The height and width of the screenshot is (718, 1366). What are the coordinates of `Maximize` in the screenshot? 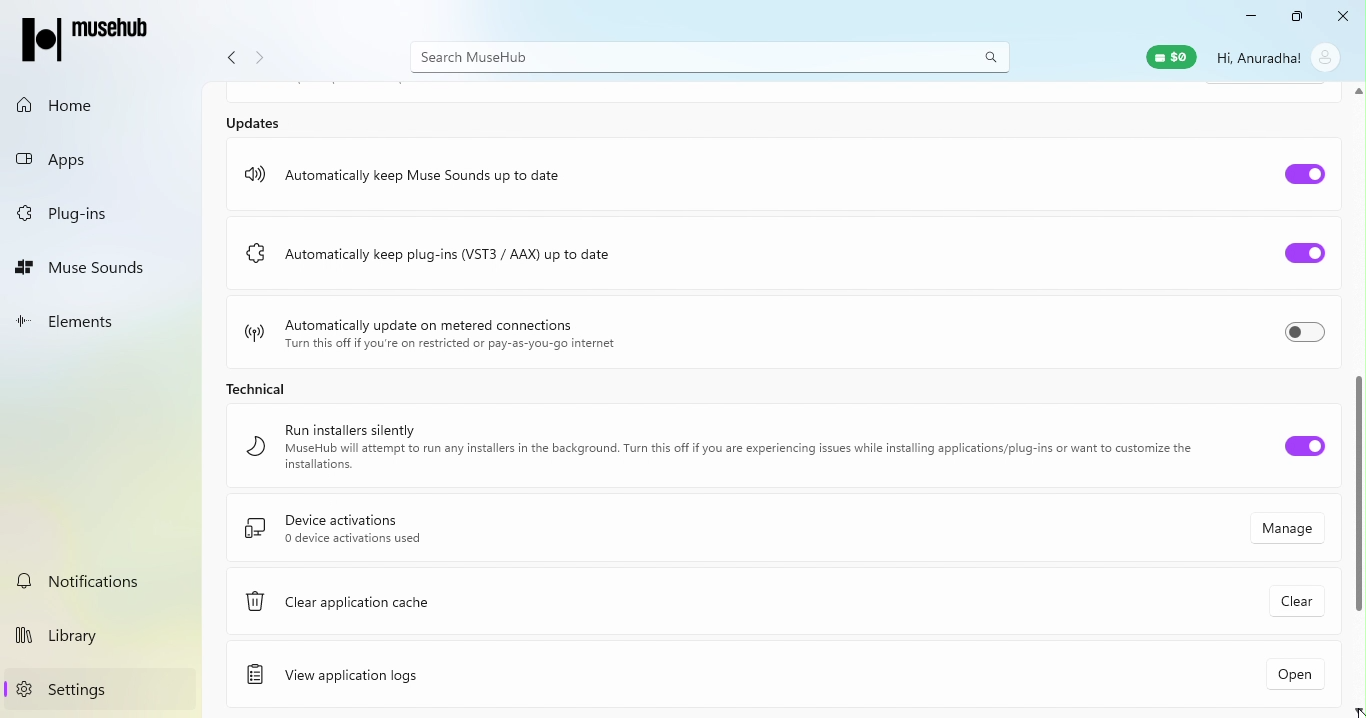 It's located at (1295, 18).